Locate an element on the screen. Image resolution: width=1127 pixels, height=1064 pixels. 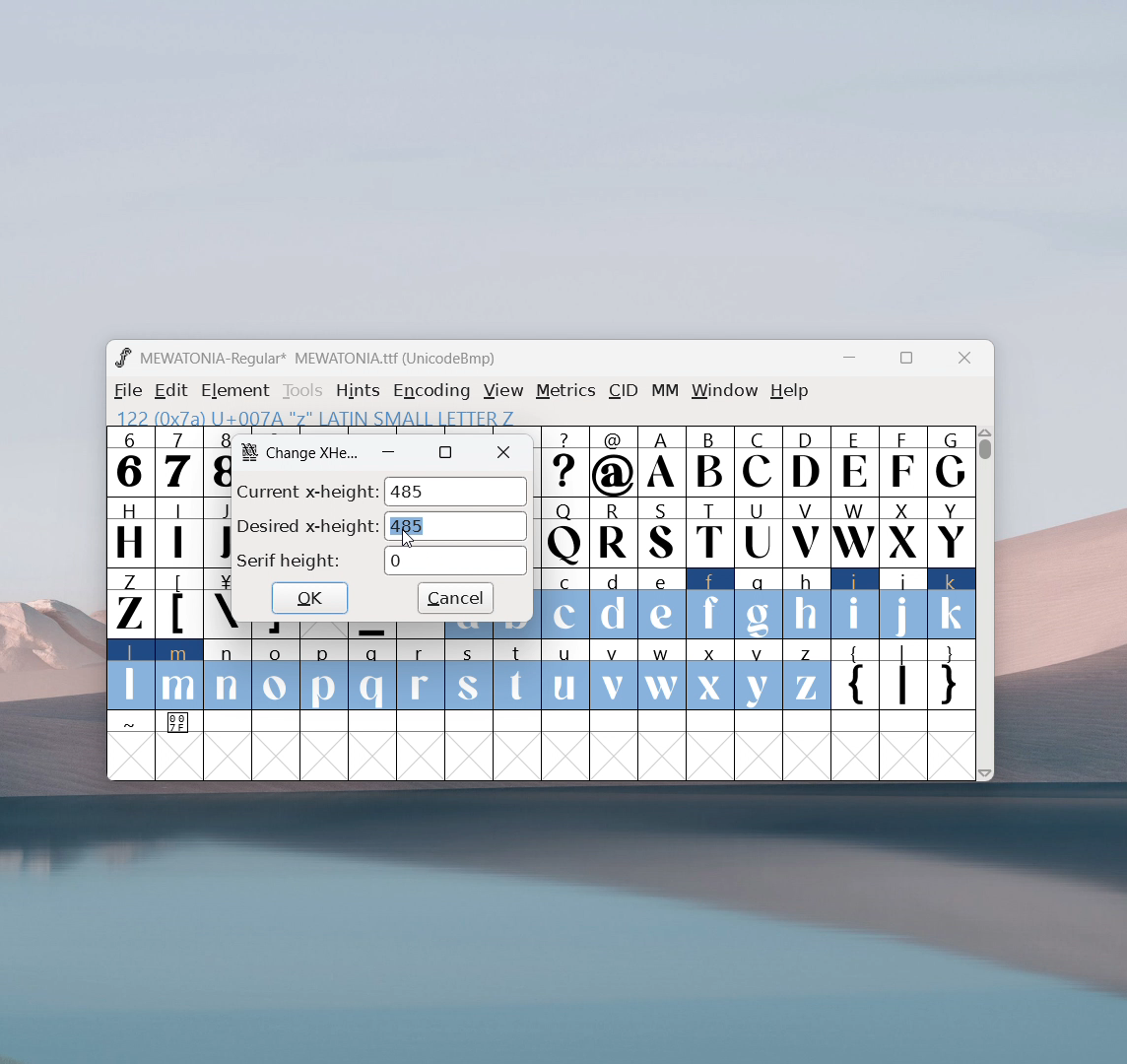
v is located at coordinates (613, 674).